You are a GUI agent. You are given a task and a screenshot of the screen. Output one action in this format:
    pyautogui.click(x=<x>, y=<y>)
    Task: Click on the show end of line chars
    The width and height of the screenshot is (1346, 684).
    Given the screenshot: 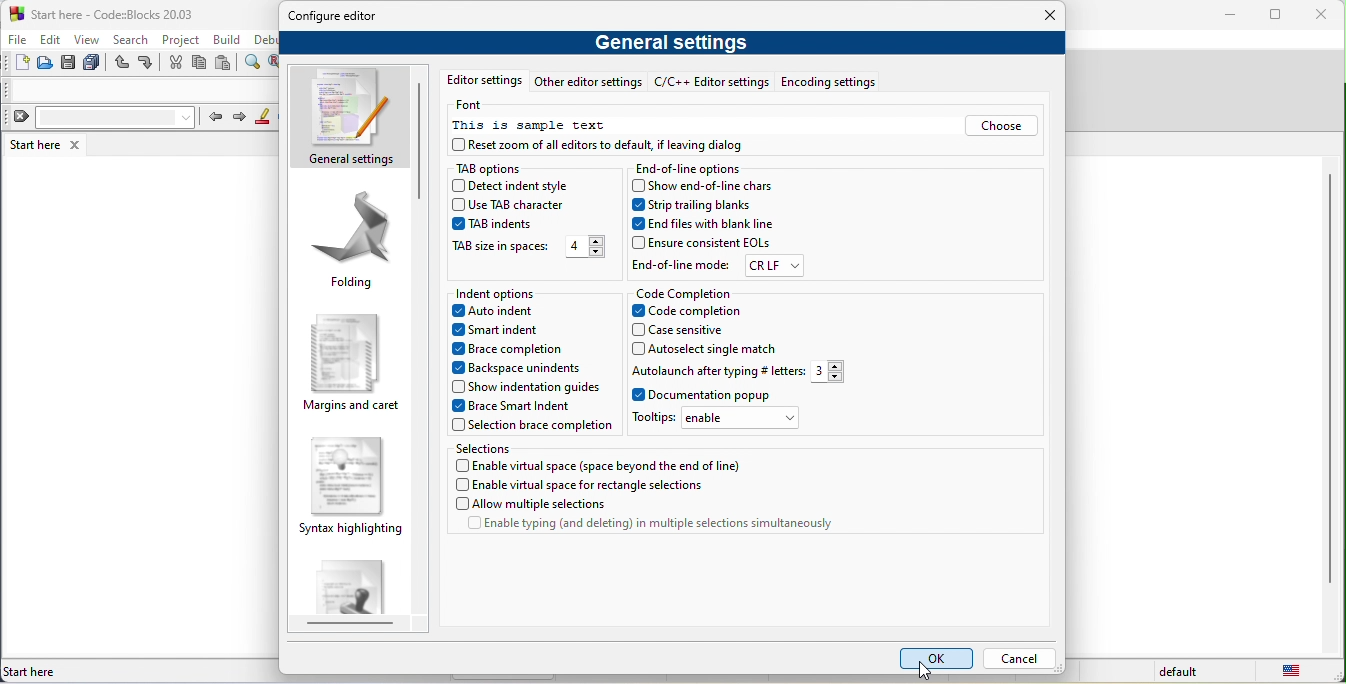 What is the action you would take?
    pyautogui.click(x=707, y=187)
    